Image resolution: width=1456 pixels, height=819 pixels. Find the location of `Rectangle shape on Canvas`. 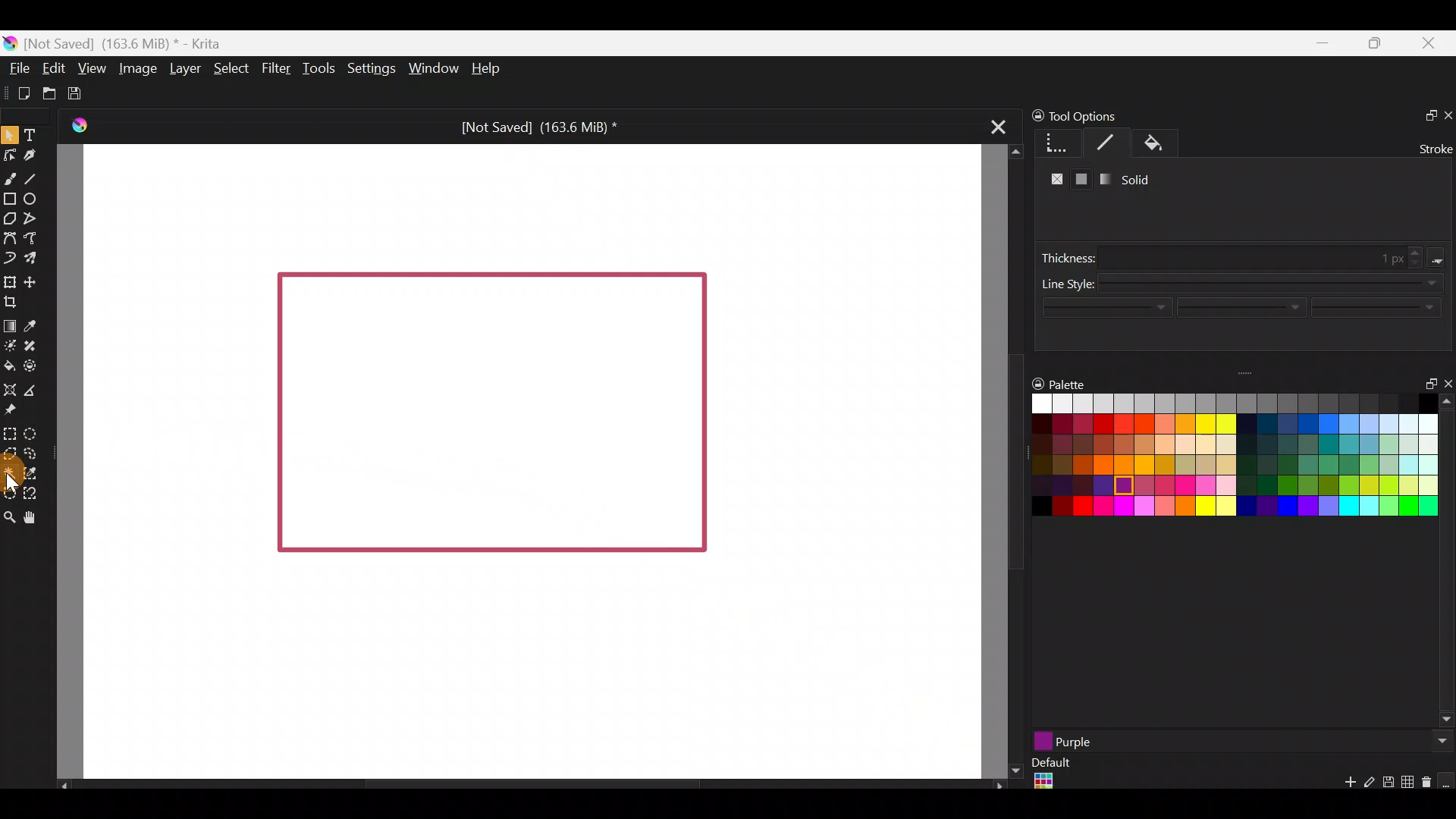

Rectangle shape on Canvas is located at coordinates (491, 412).